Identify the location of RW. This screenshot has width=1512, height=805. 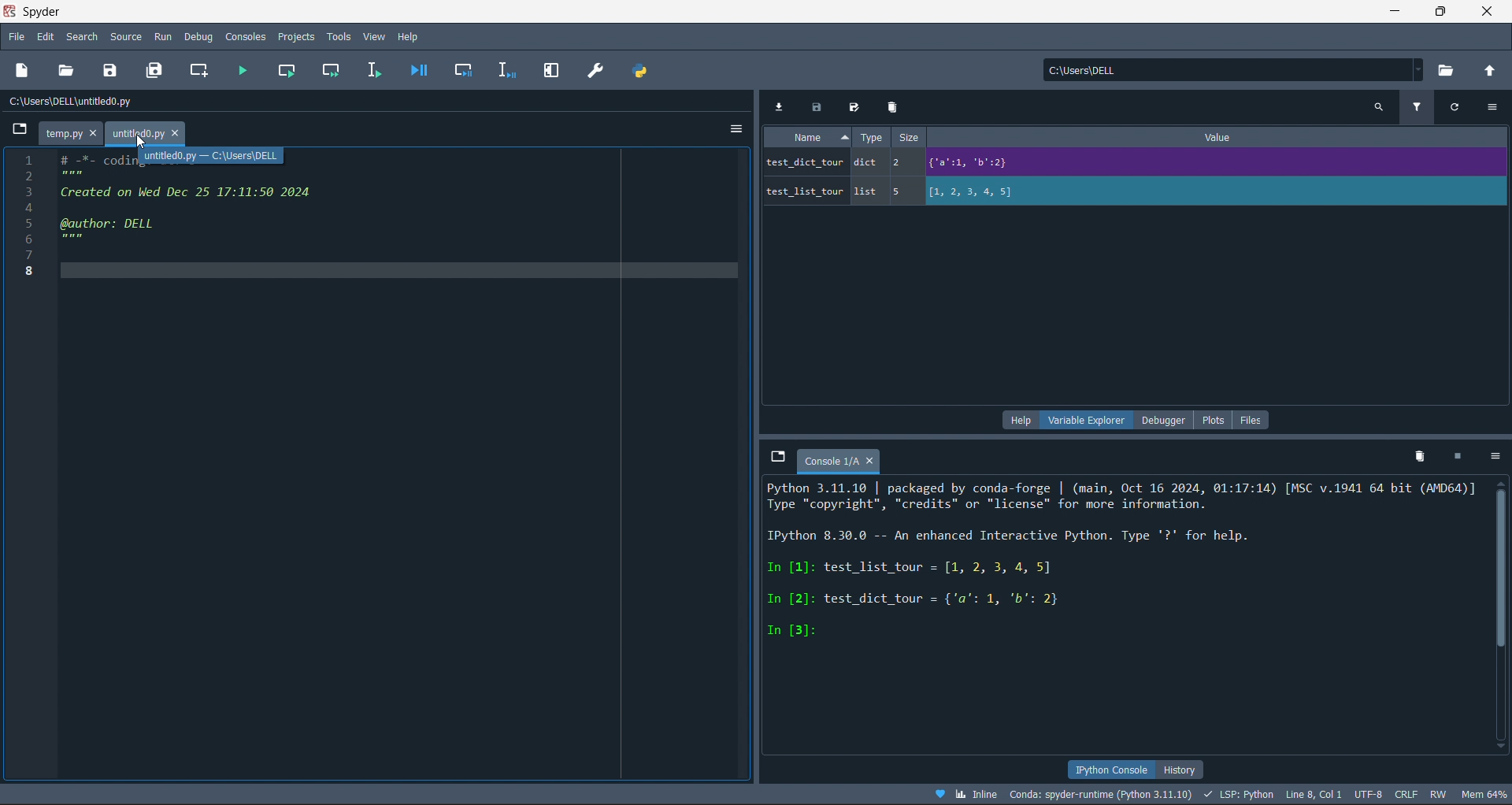
(1439, 794).